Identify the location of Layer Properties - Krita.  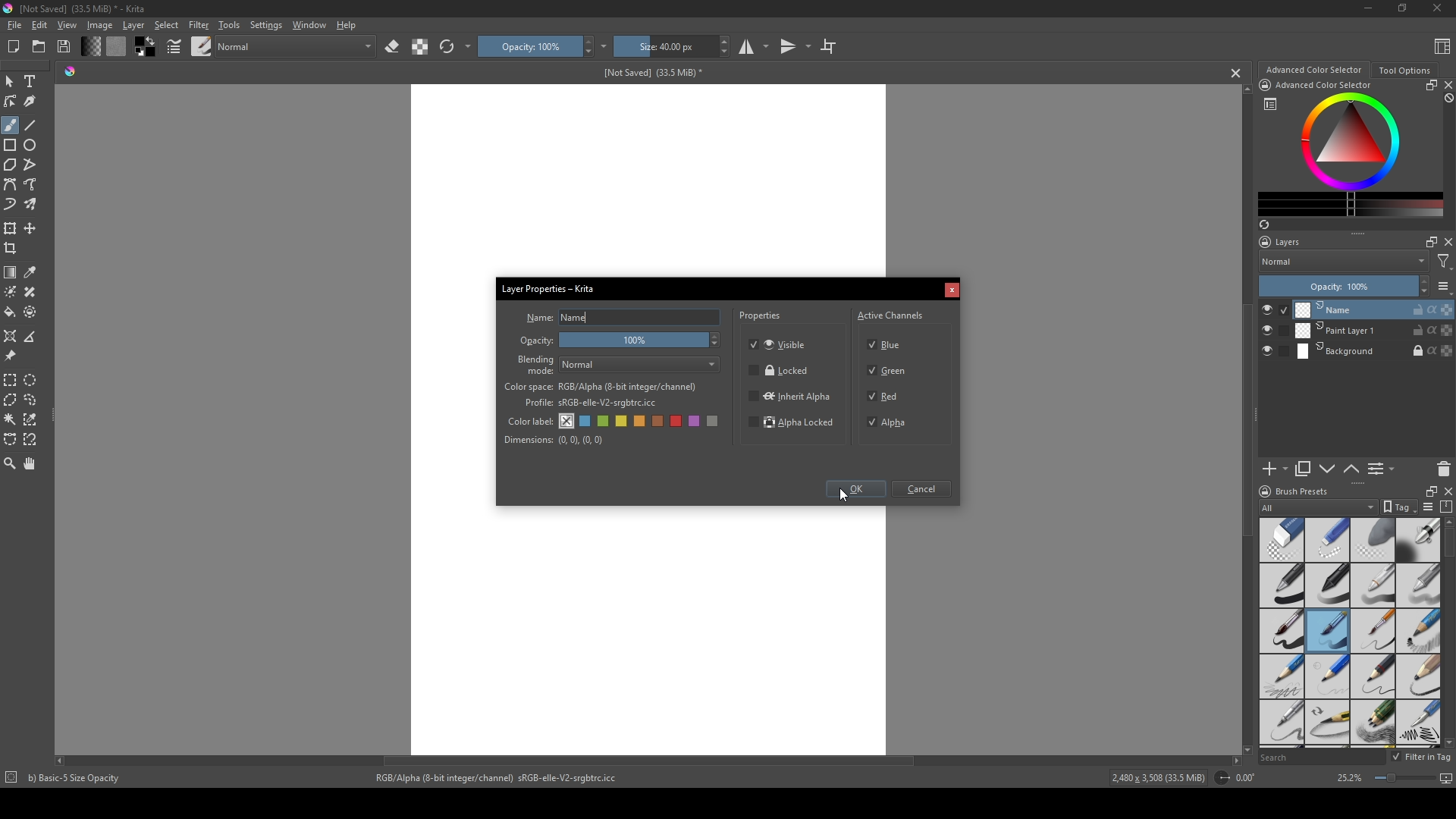
(550, 287).